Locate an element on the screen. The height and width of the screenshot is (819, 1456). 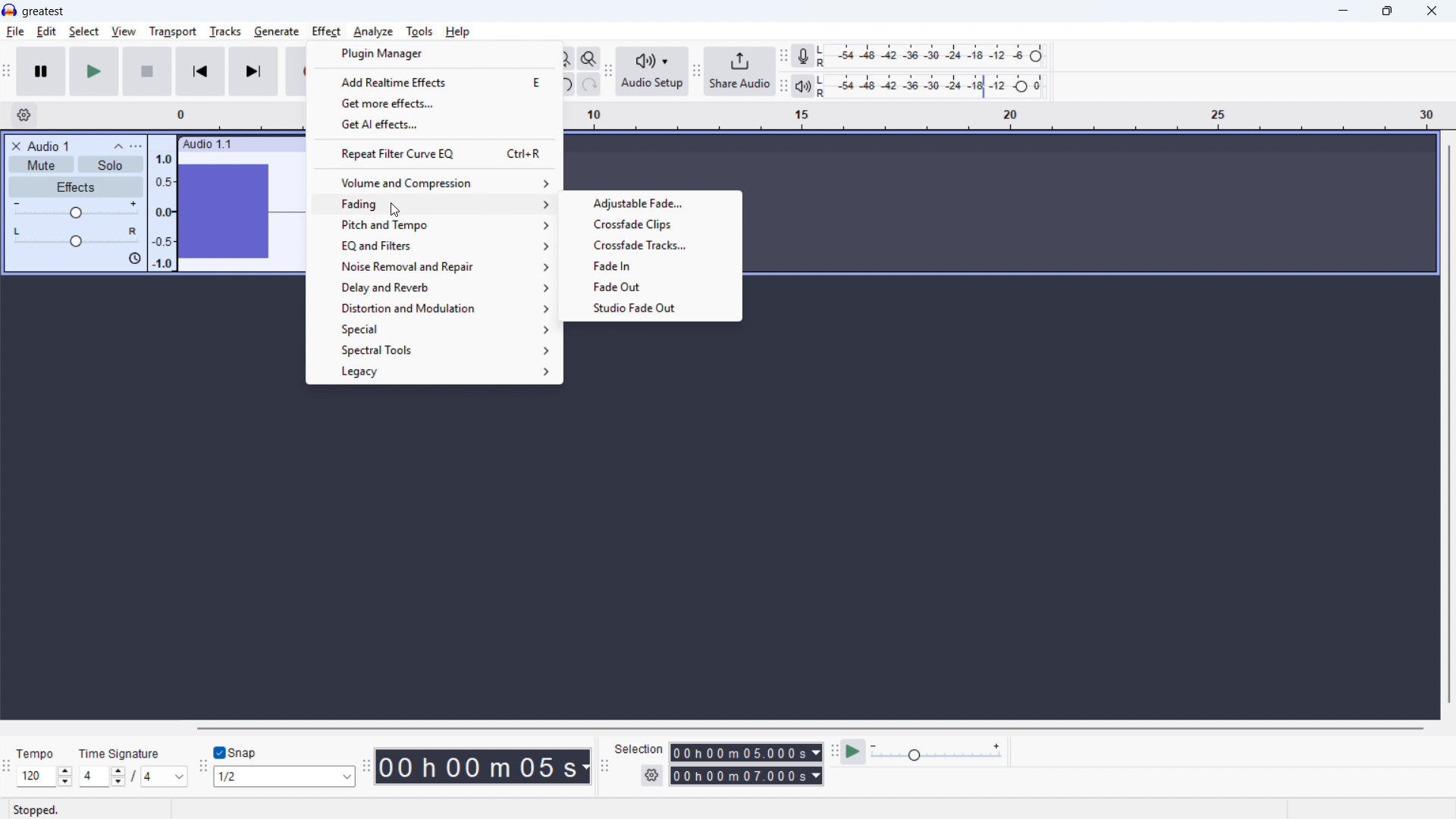
Playback level  is located at coordinates (935, 86).